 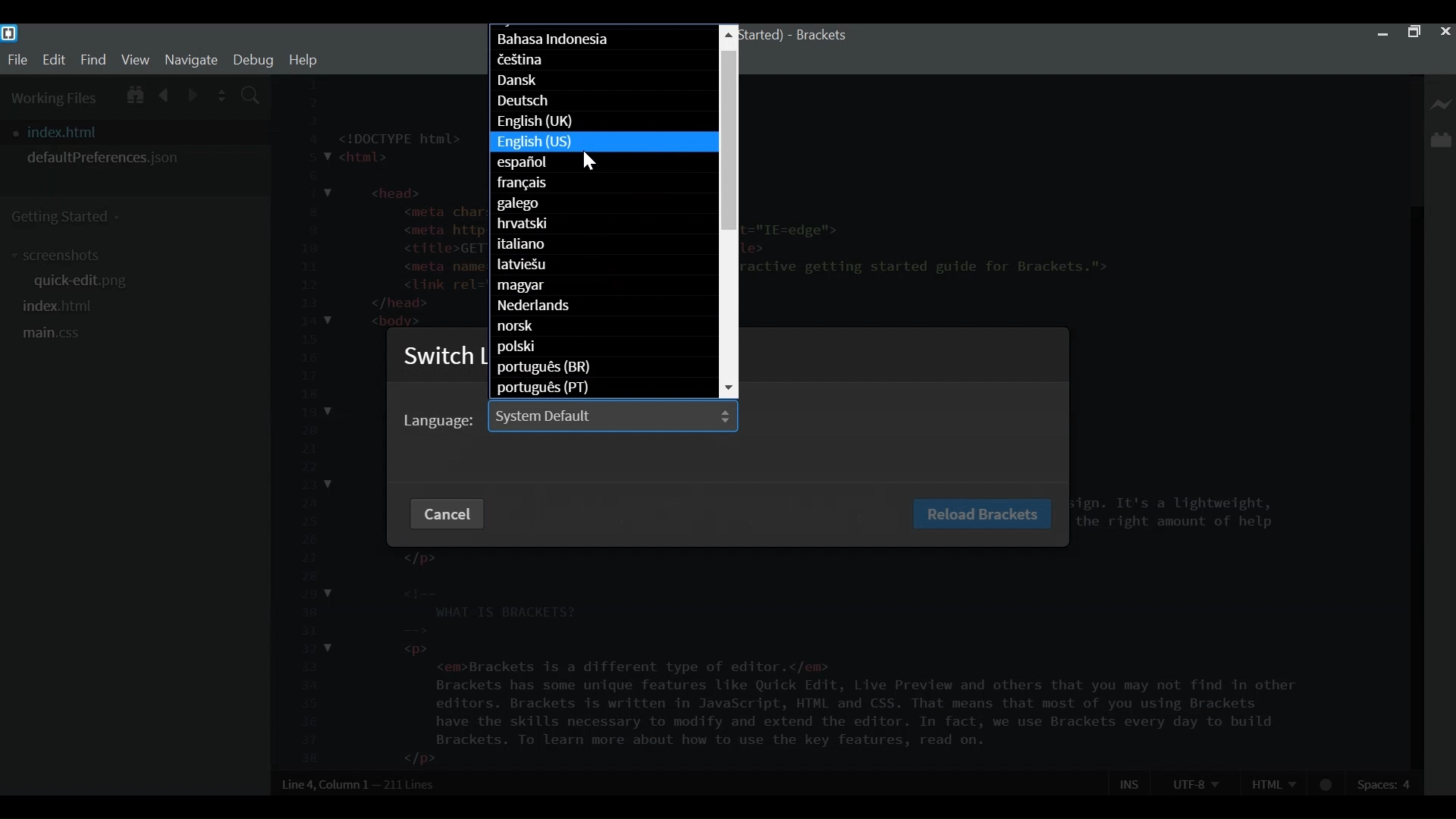 What do you see at coordinates (821, 36) in the screenshot?
I see `Brackets` at bounding box center [821, 36].